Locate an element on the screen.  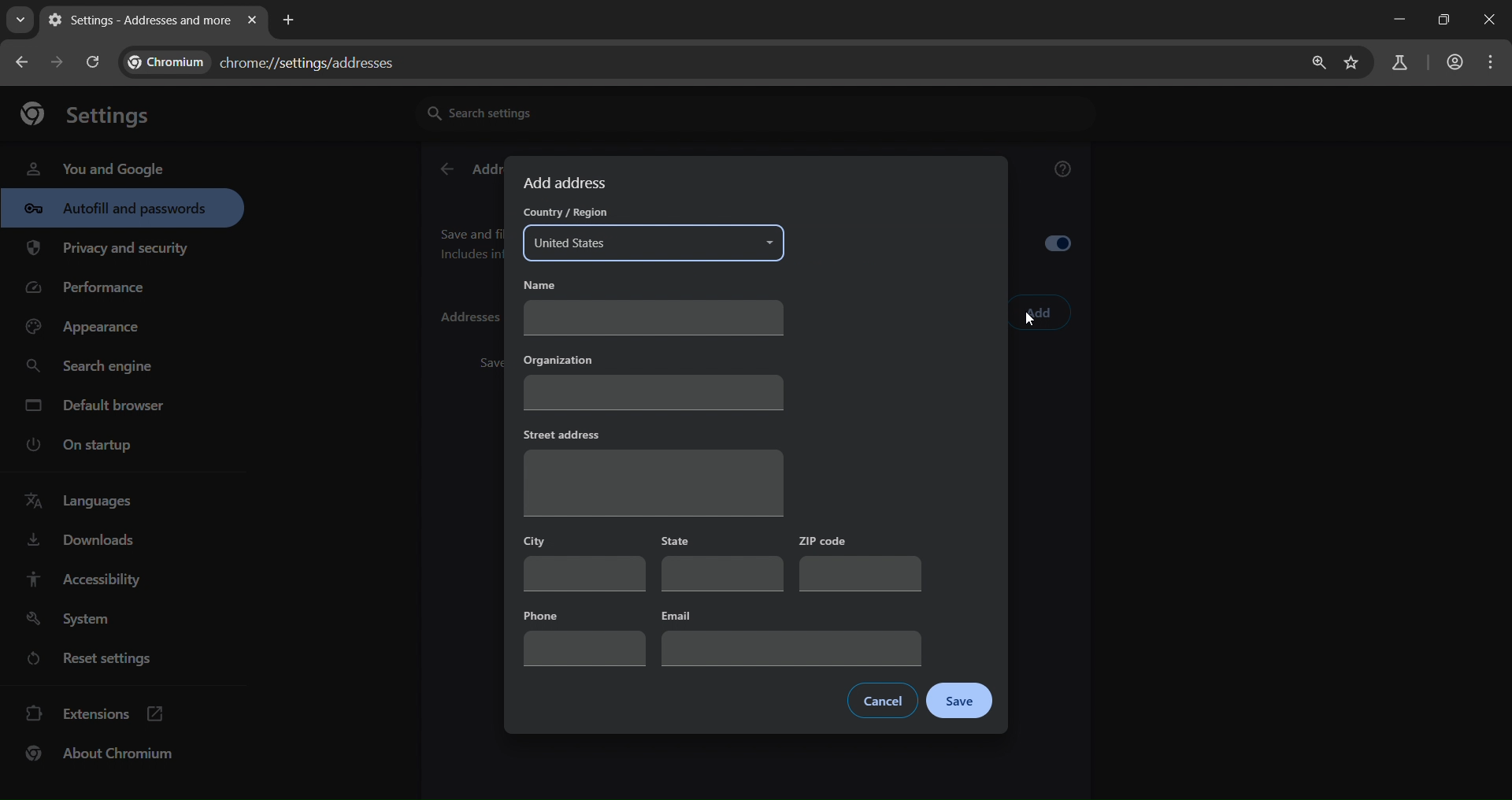
new tab is located at coordinates (289, 18).